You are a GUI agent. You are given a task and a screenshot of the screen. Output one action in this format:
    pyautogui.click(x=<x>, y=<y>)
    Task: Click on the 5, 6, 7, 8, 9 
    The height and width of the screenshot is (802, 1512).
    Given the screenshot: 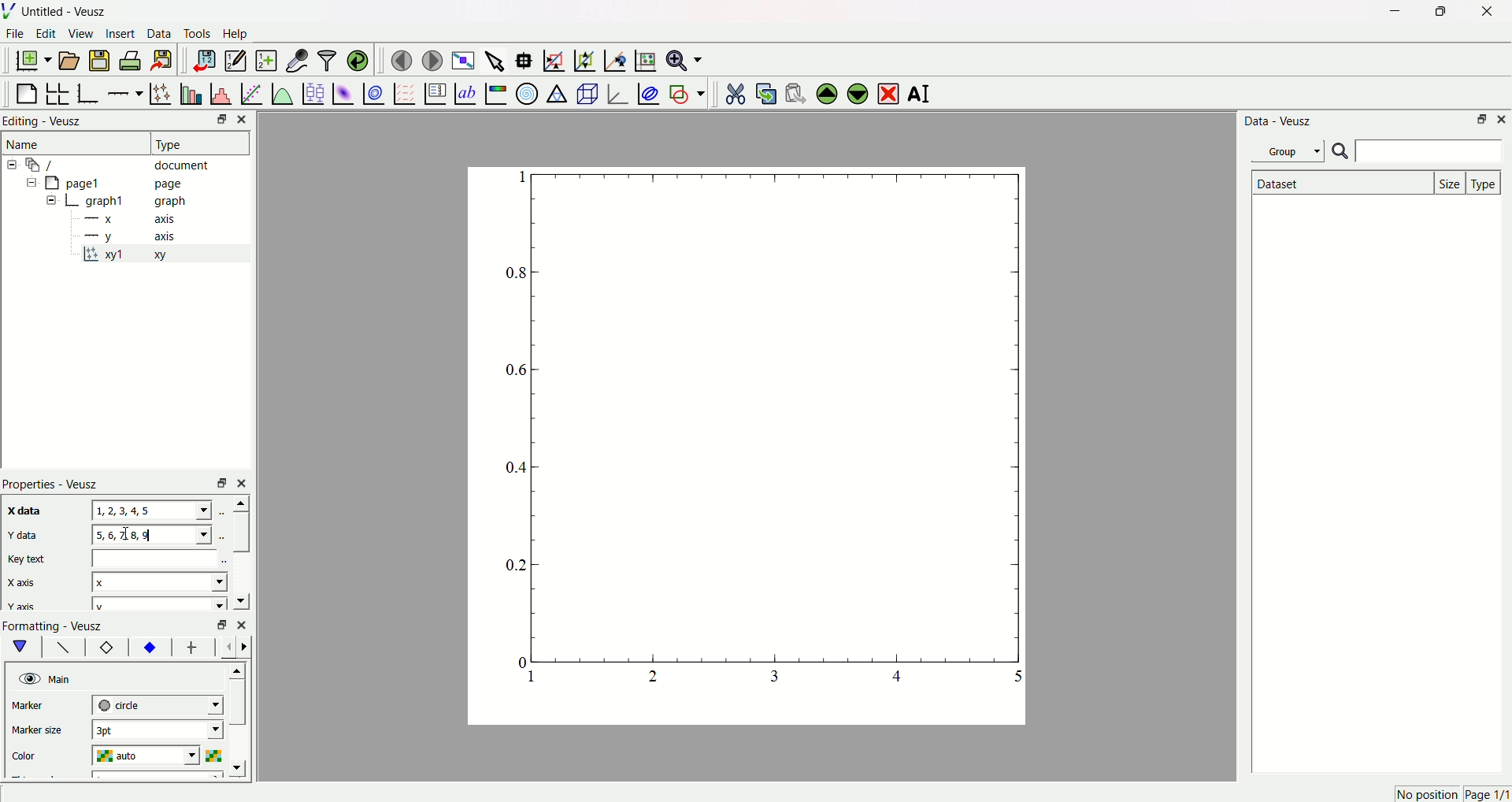 What is the action you would take?
    pyautogui.click(x=150, y=534)
    